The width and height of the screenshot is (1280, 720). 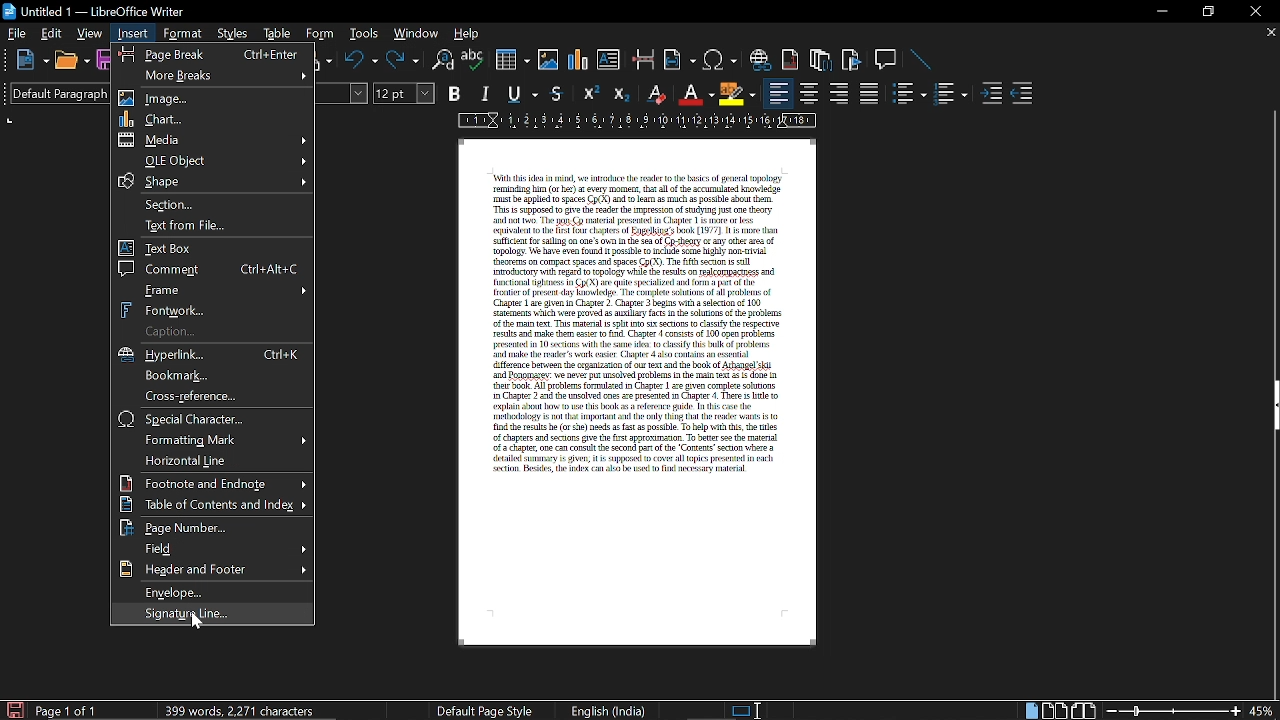 I want to click on insert symbol, so click(x=718, y=60).